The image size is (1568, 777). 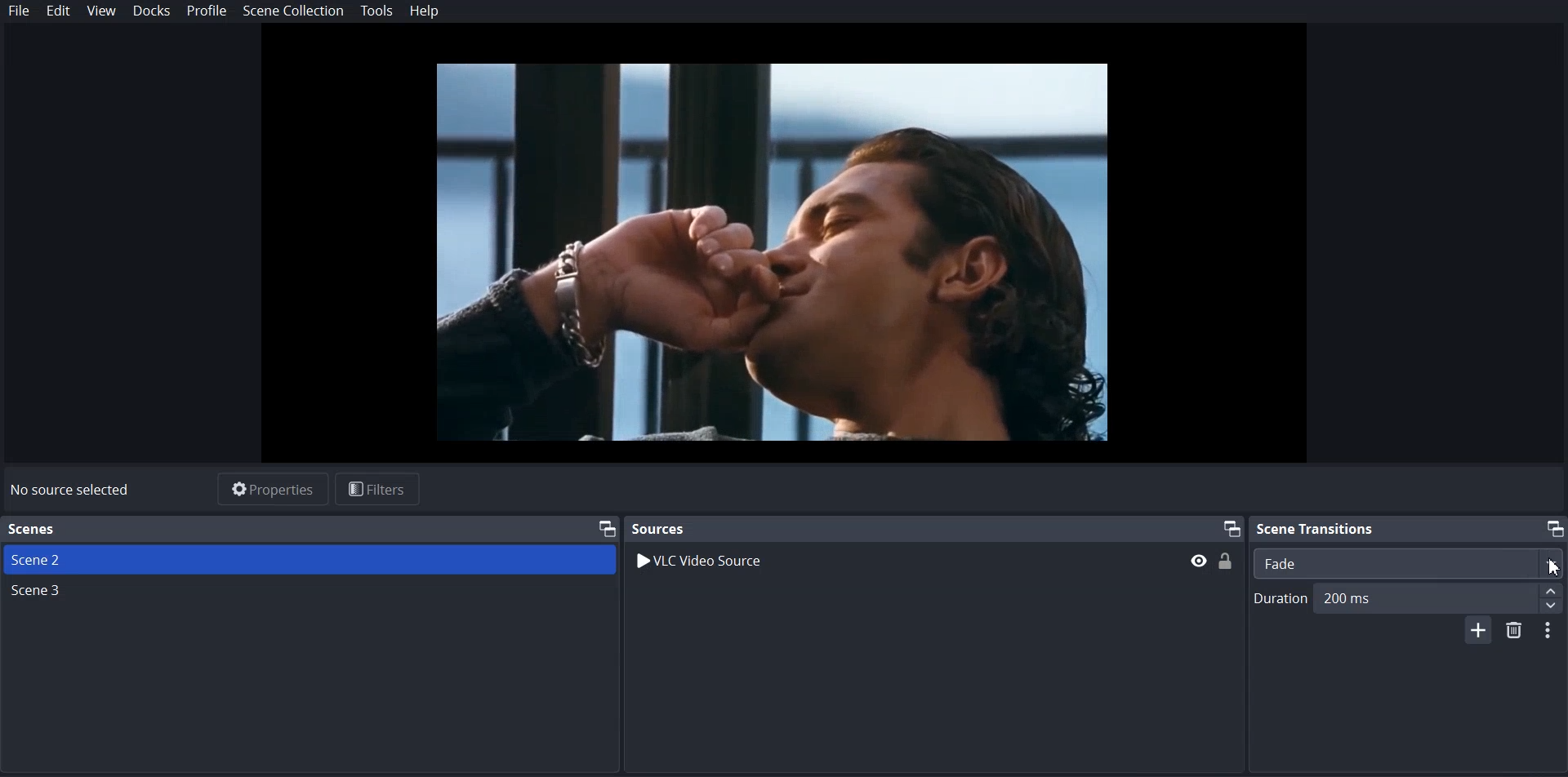 I want to click on Remove Configurable Transition, so click(x=1516, y=628).